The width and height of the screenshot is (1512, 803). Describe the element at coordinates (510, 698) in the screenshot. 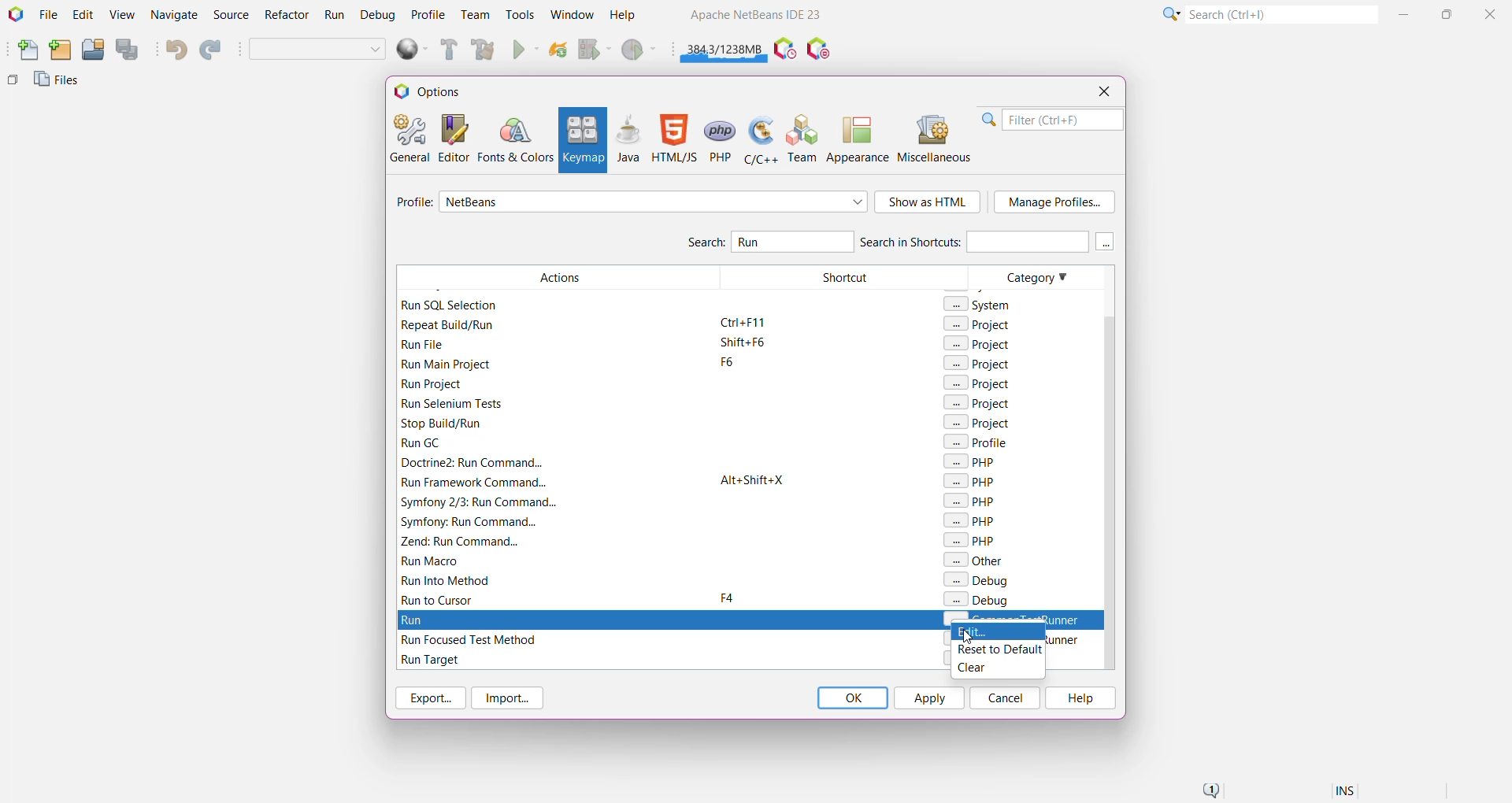

I see `Import` at that location.